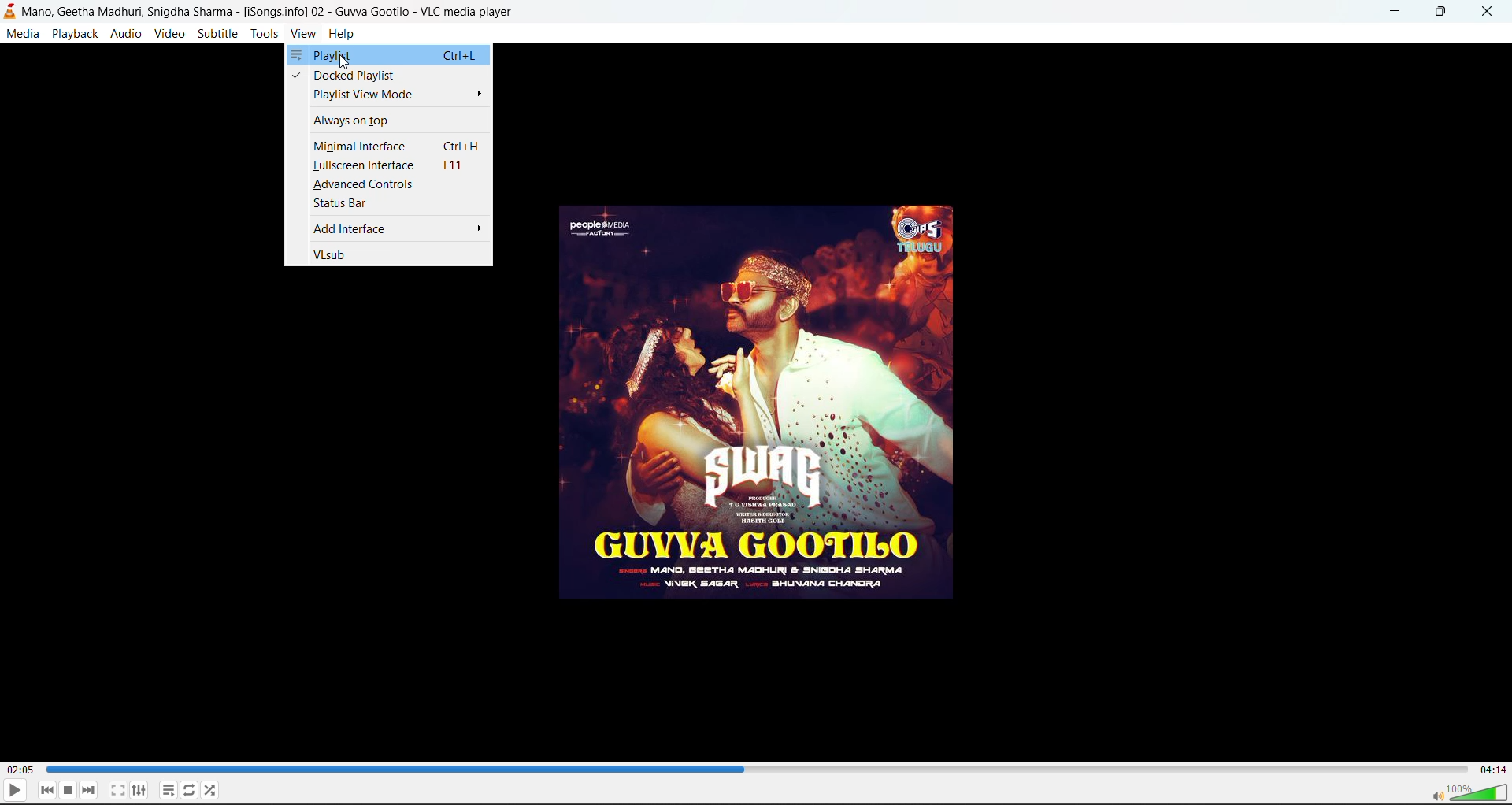 The width and height of the screenshot is (1512, 805). I want to click on minimal interface, so click(391, 146).